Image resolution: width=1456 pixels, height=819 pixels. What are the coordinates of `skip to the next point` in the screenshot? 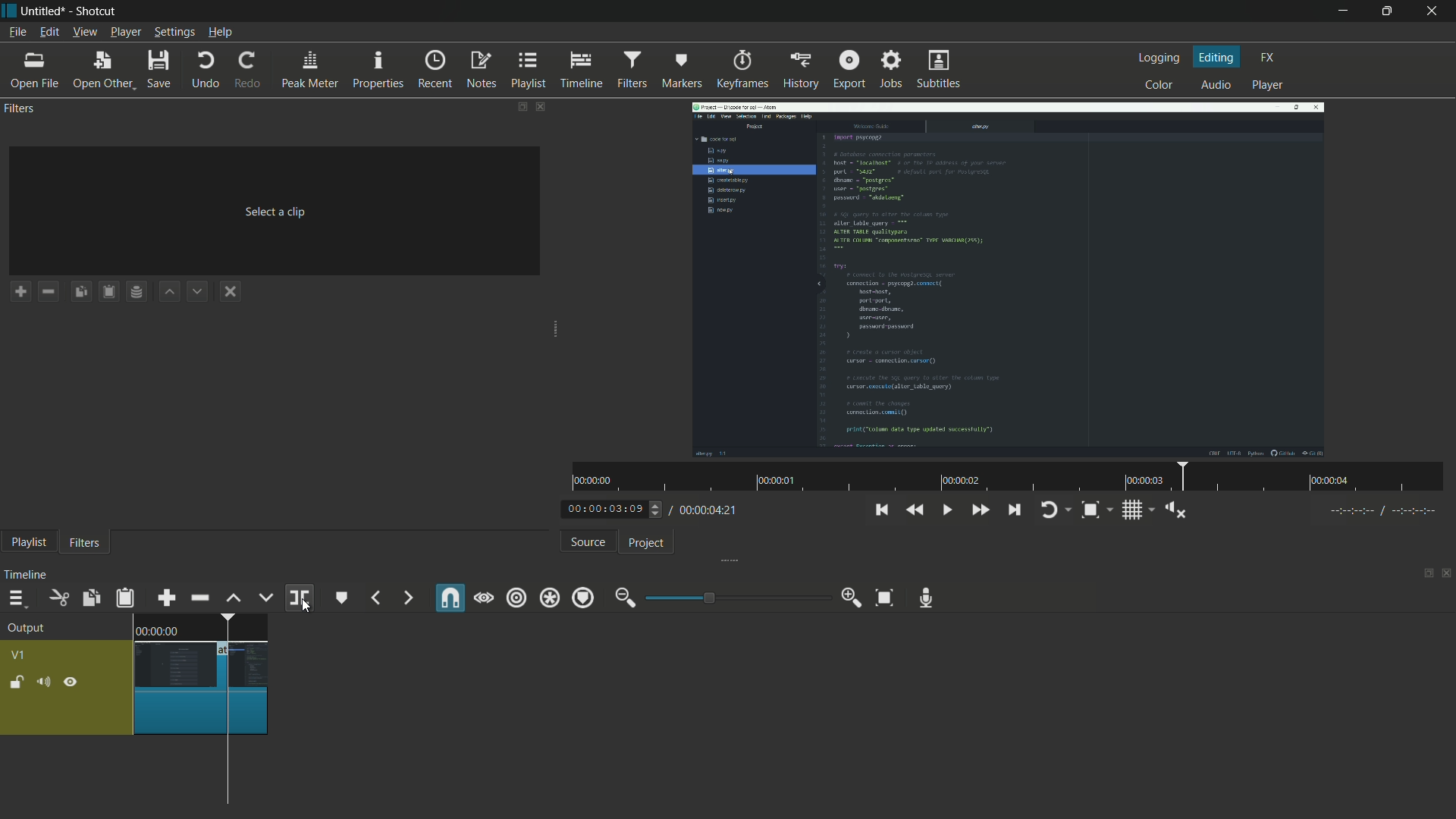 It's located at (1013, 510).